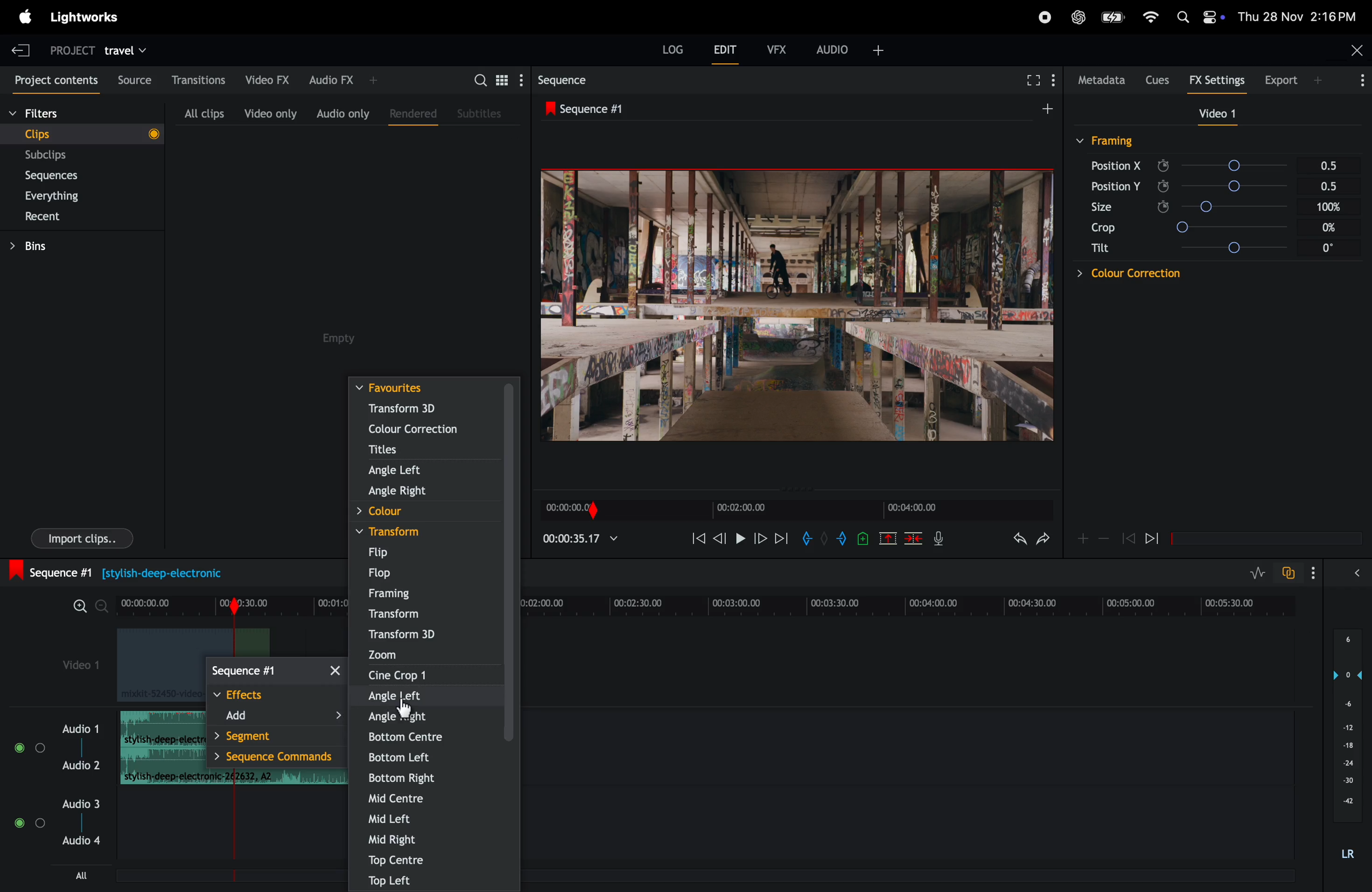 Image resolution: width=1372 pixels, height=892 pixels. What do you see at coordinates (436, 880) in the screenshot?
I see `top left` at bounding box center [436, 880].